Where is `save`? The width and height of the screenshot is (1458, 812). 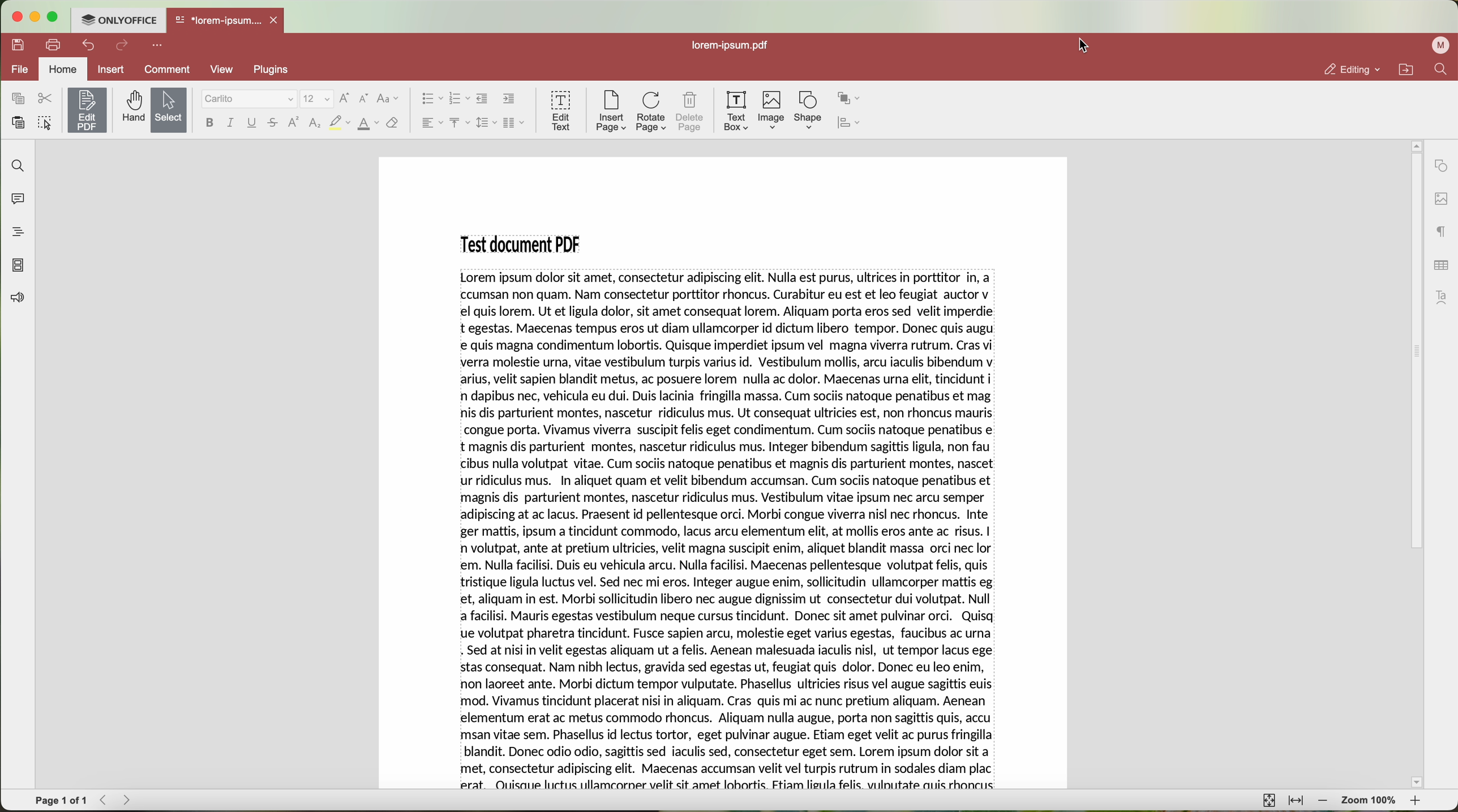 save is located at coordinates (19, 45).